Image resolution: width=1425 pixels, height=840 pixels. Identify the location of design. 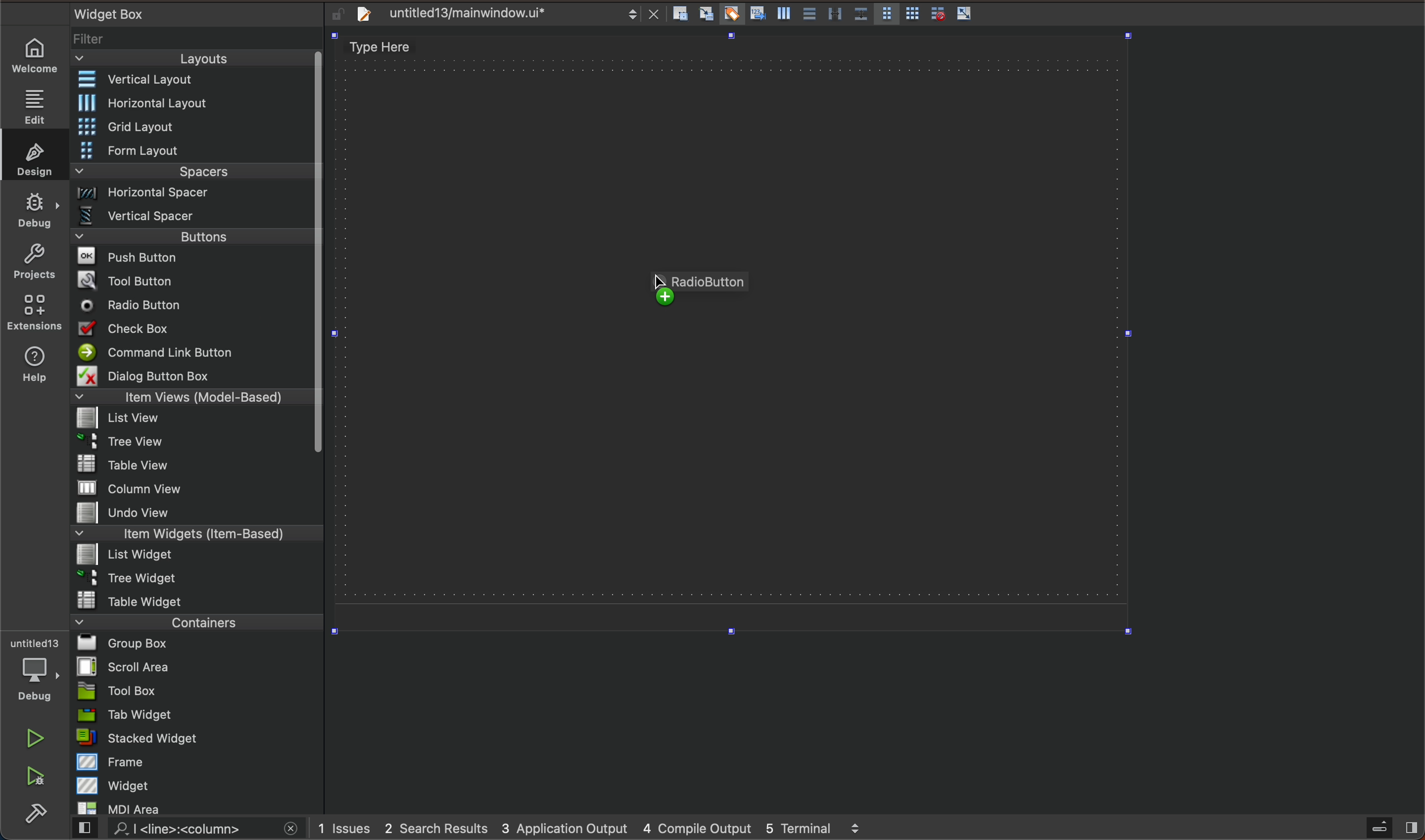
(31, 155).